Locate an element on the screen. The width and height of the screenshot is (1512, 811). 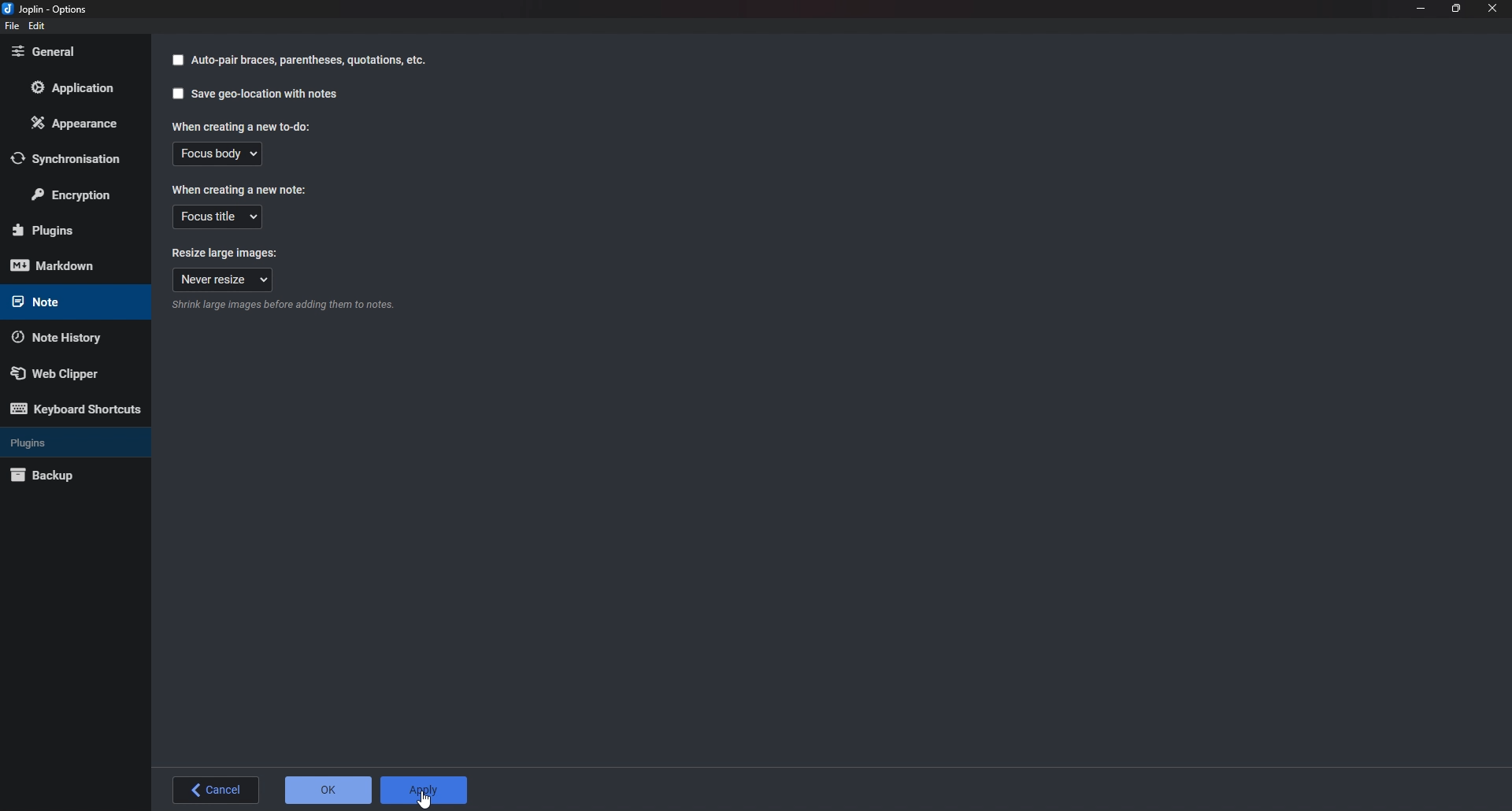
eDIT is located at coordinates (36, 25).